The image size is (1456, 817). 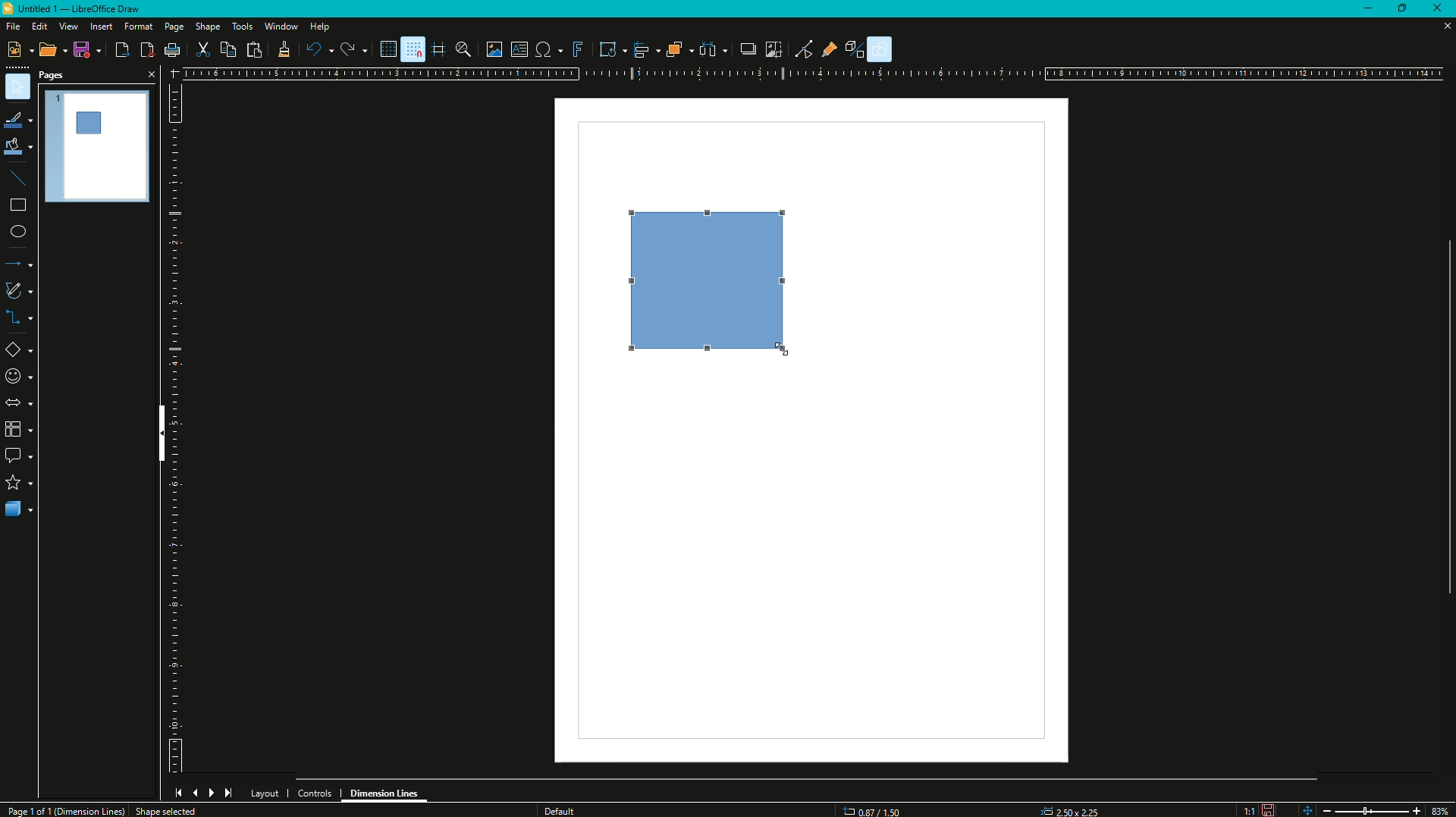 I want to click on Fill Color, so click(x=18, y=147).